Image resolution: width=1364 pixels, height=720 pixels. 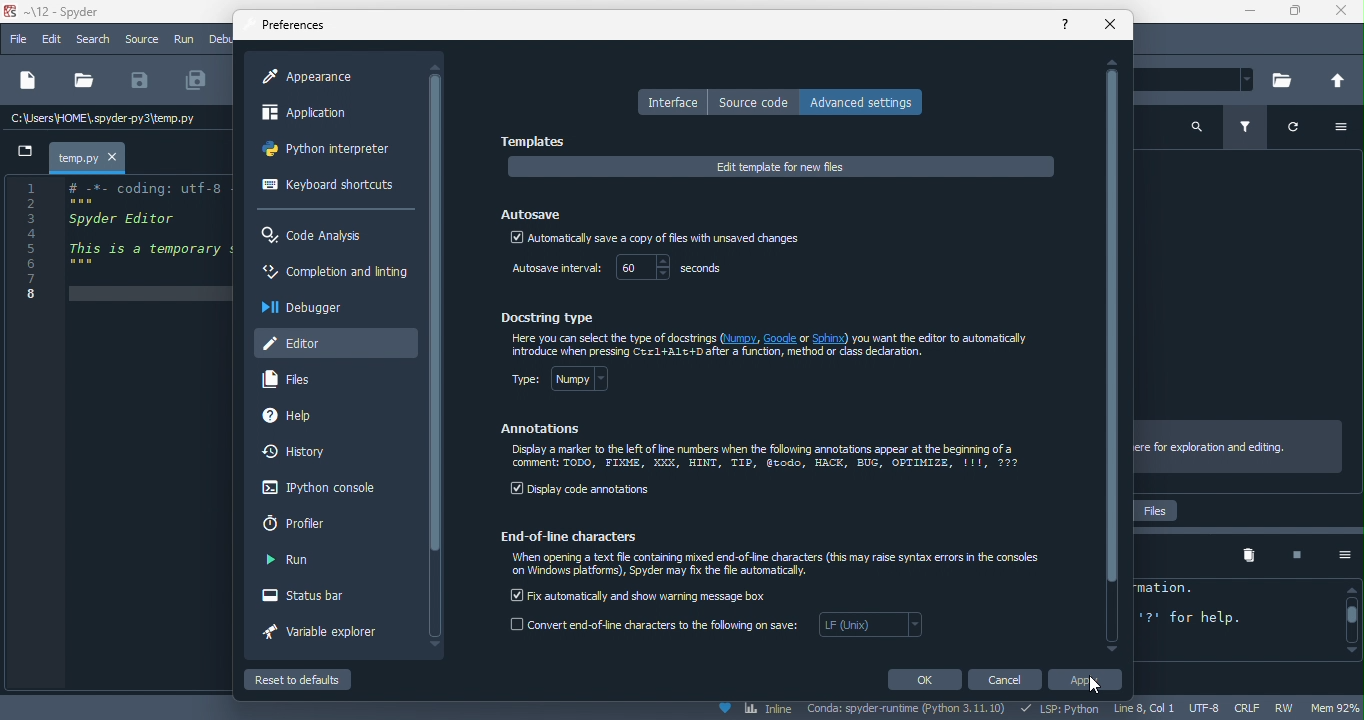 I want to click on c\users\homespyder, so click(x=104, y=120).